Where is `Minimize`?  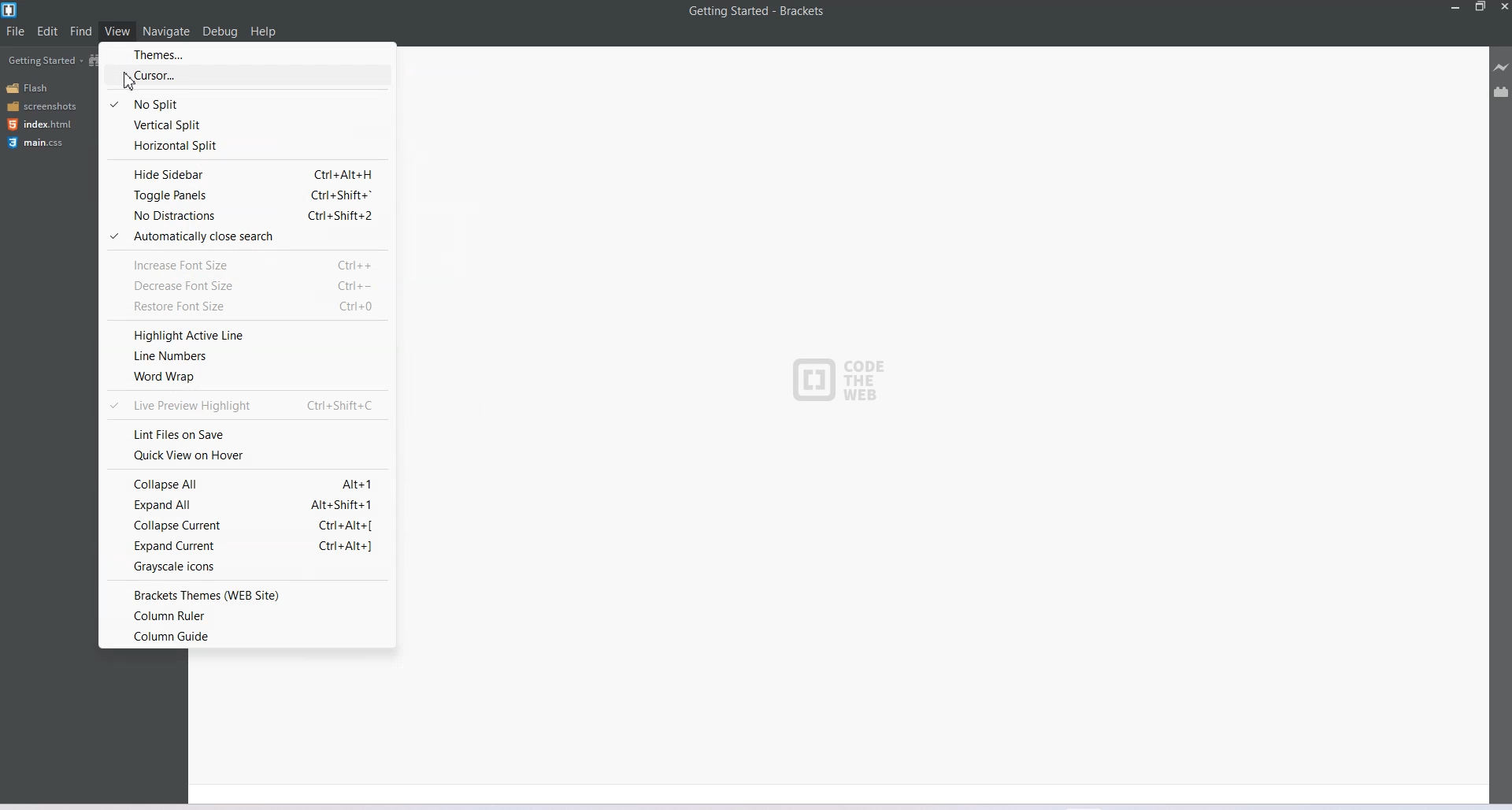 Minimize is located at coordinates (1456, 7).